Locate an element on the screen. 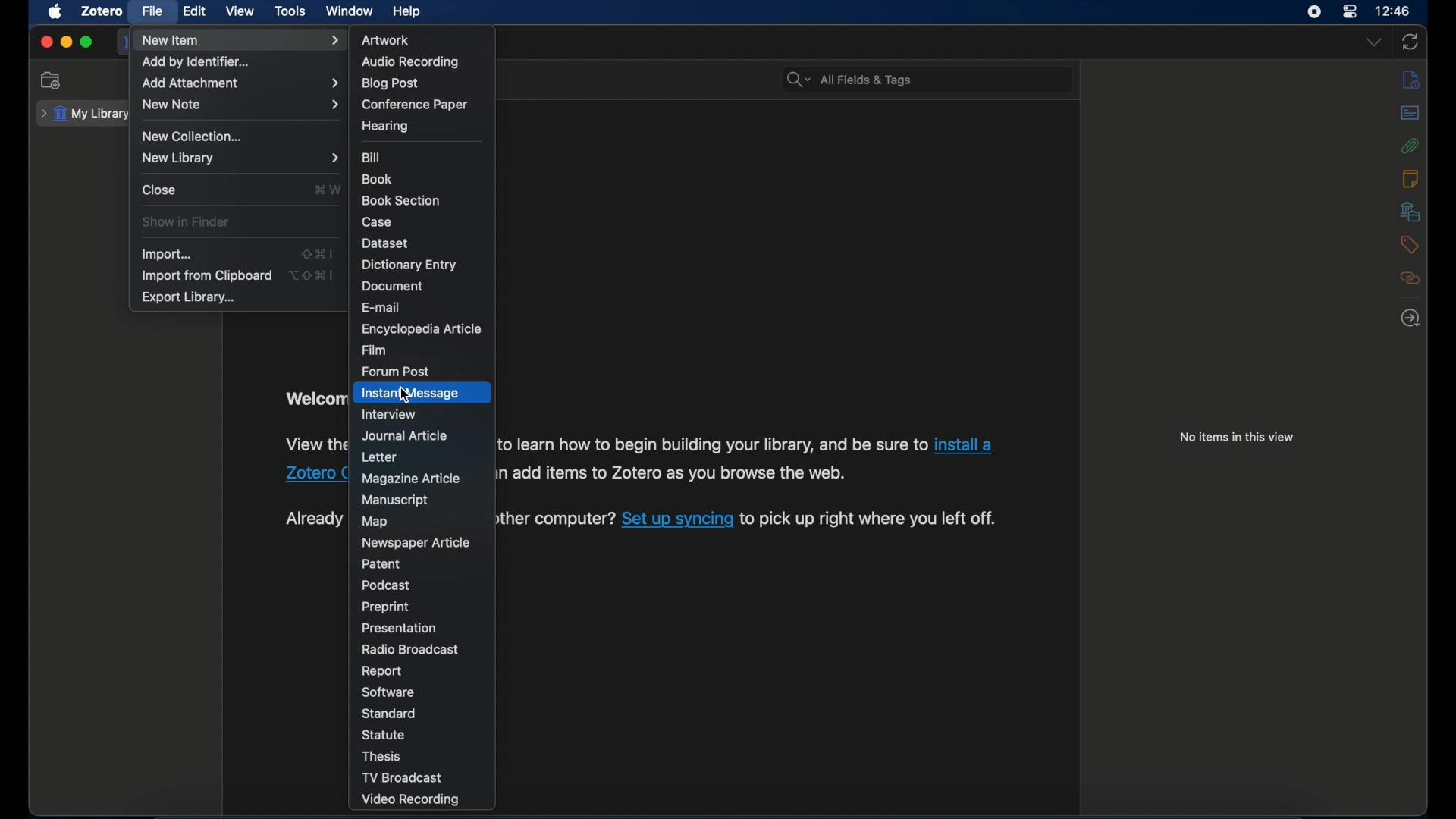 This screenshot has width=1456, height=819. interview is located at coordinates (388, 414).